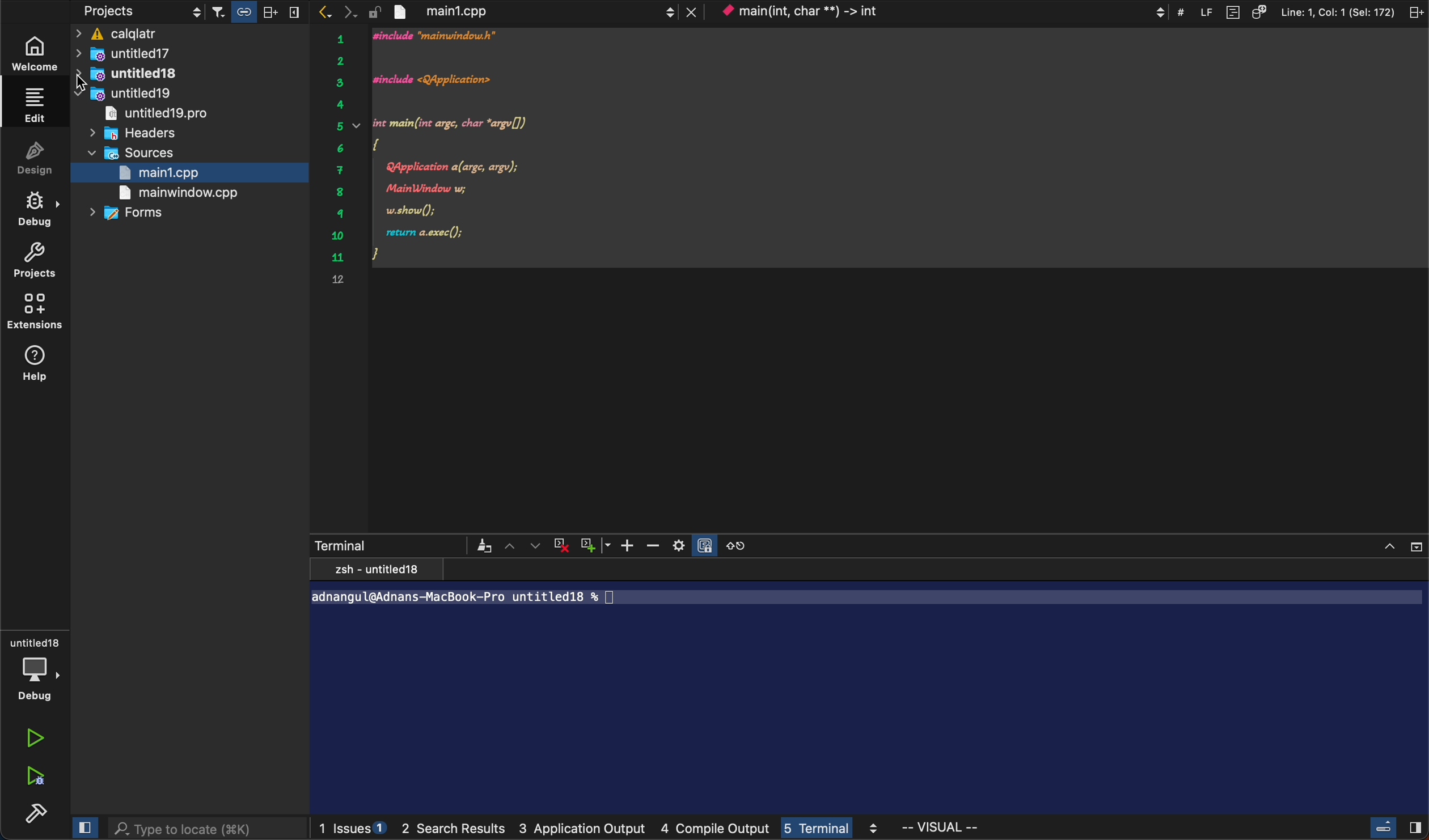 Image resolution: width=1429 pixels, height=840 pixels. Describe the element at coordinates (655, 546) in the screenshot. I see `zoom out` at that location.